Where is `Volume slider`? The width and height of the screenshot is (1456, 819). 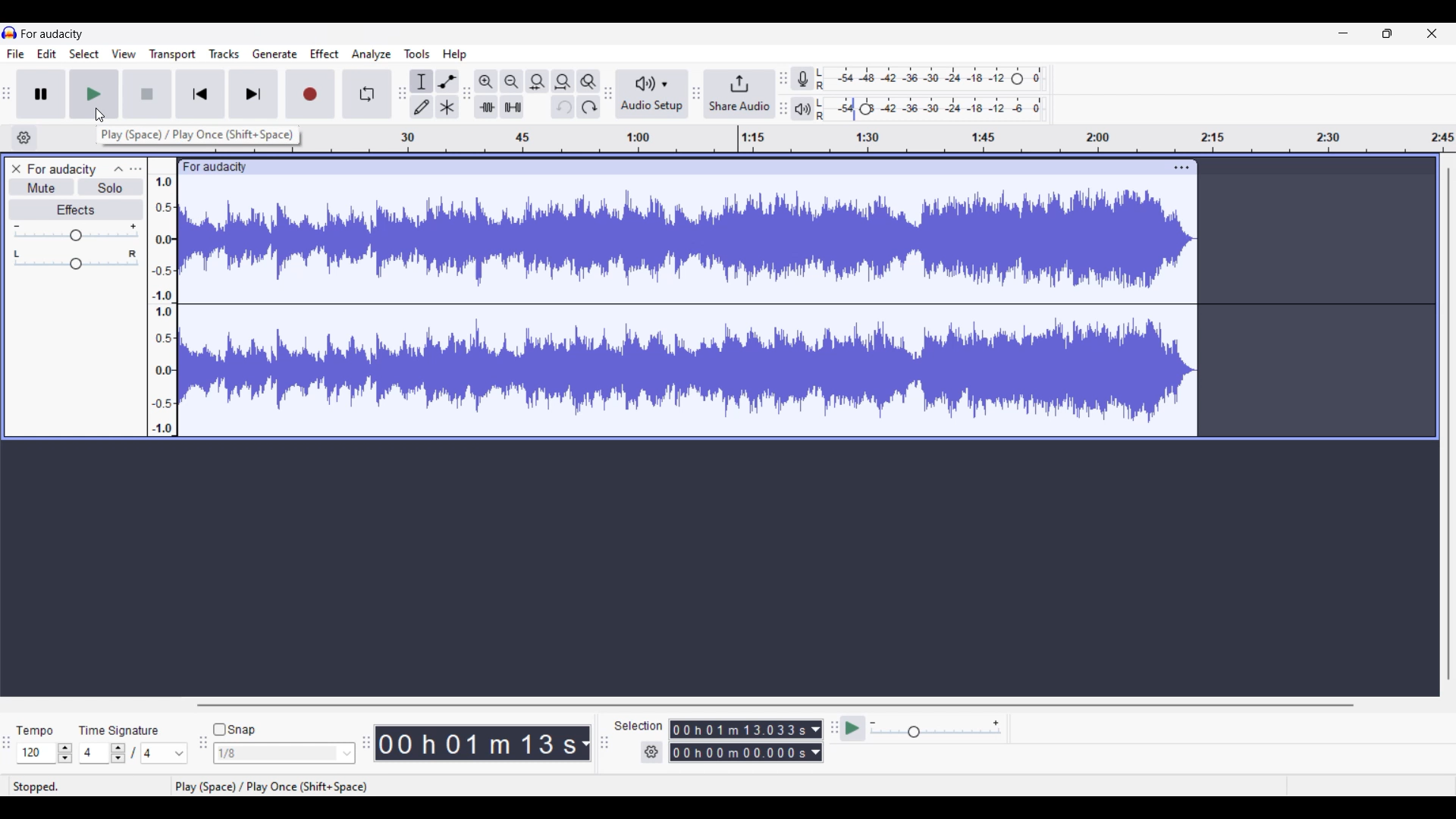
Volume slider is located at coordinates (76, 231).